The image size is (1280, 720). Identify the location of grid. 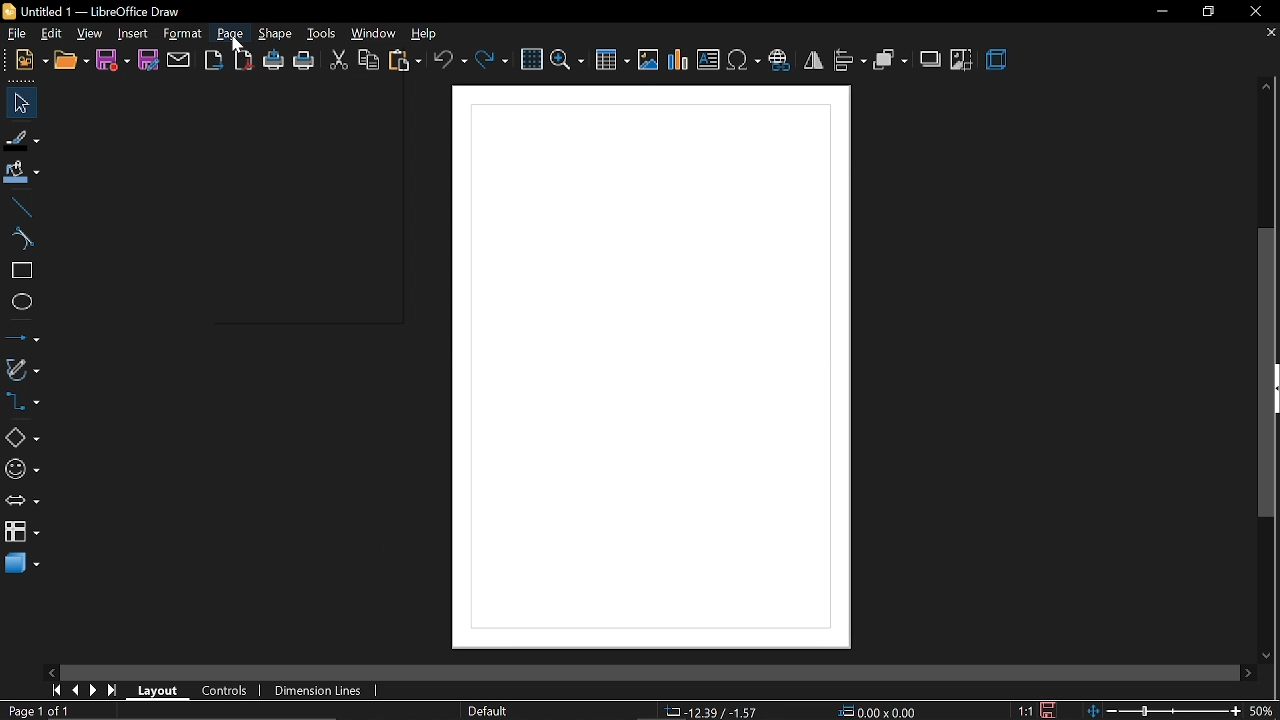
(530, 60).